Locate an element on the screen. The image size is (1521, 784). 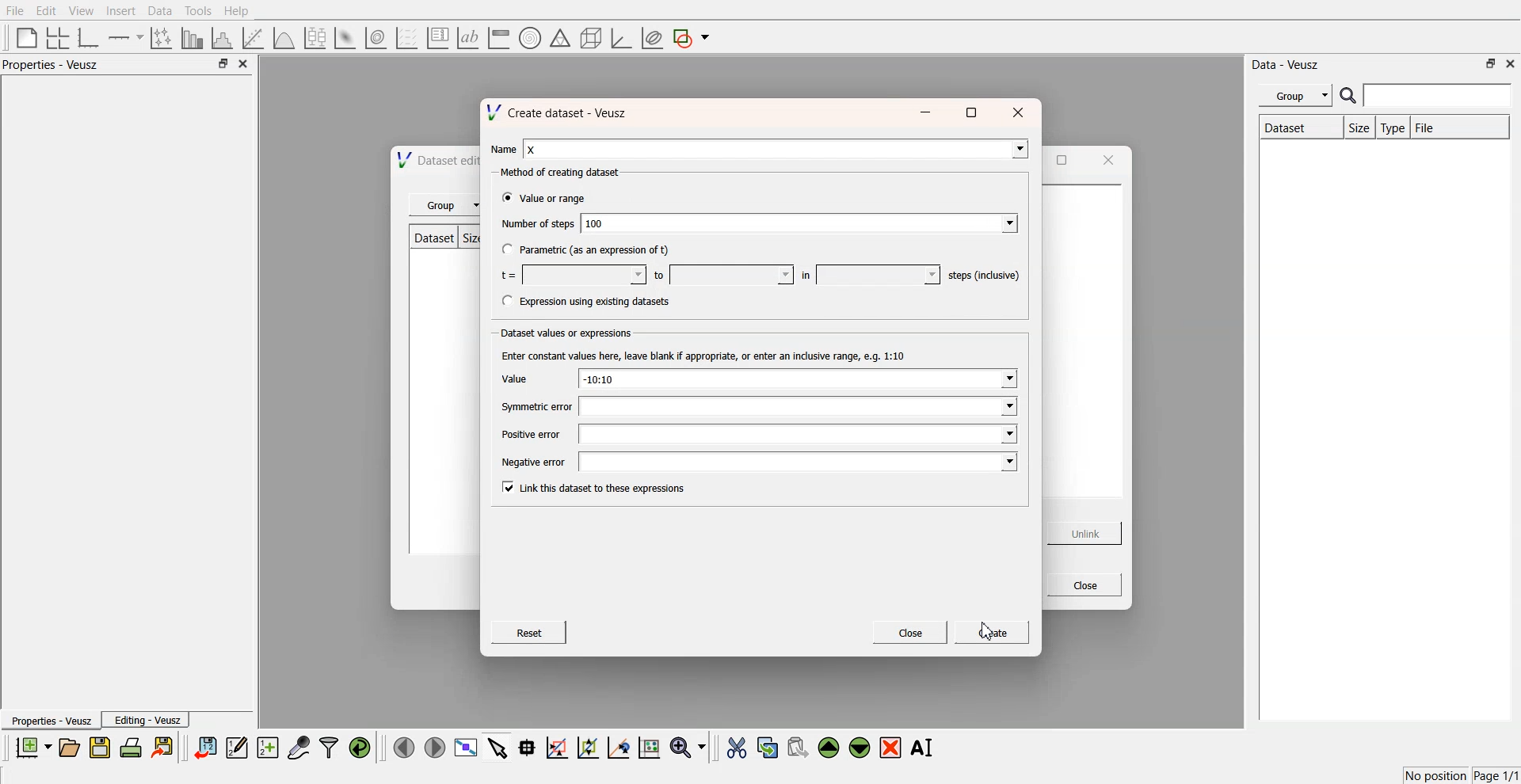
steps (inclusive) is located at coordinates (985, 275).